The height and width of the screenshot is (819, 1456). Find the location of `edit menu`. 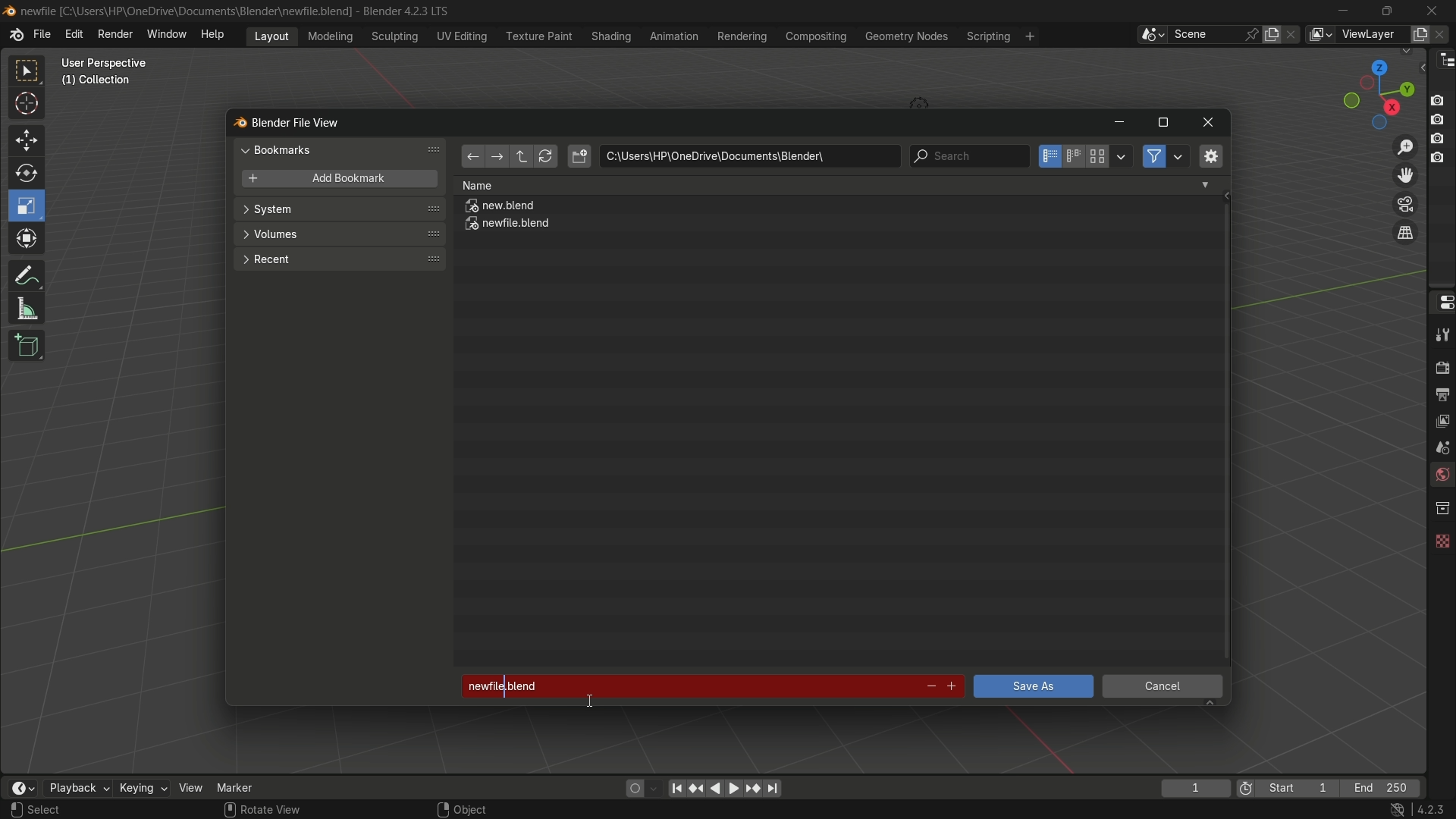

edit menu is located at coordinates (74, 34).